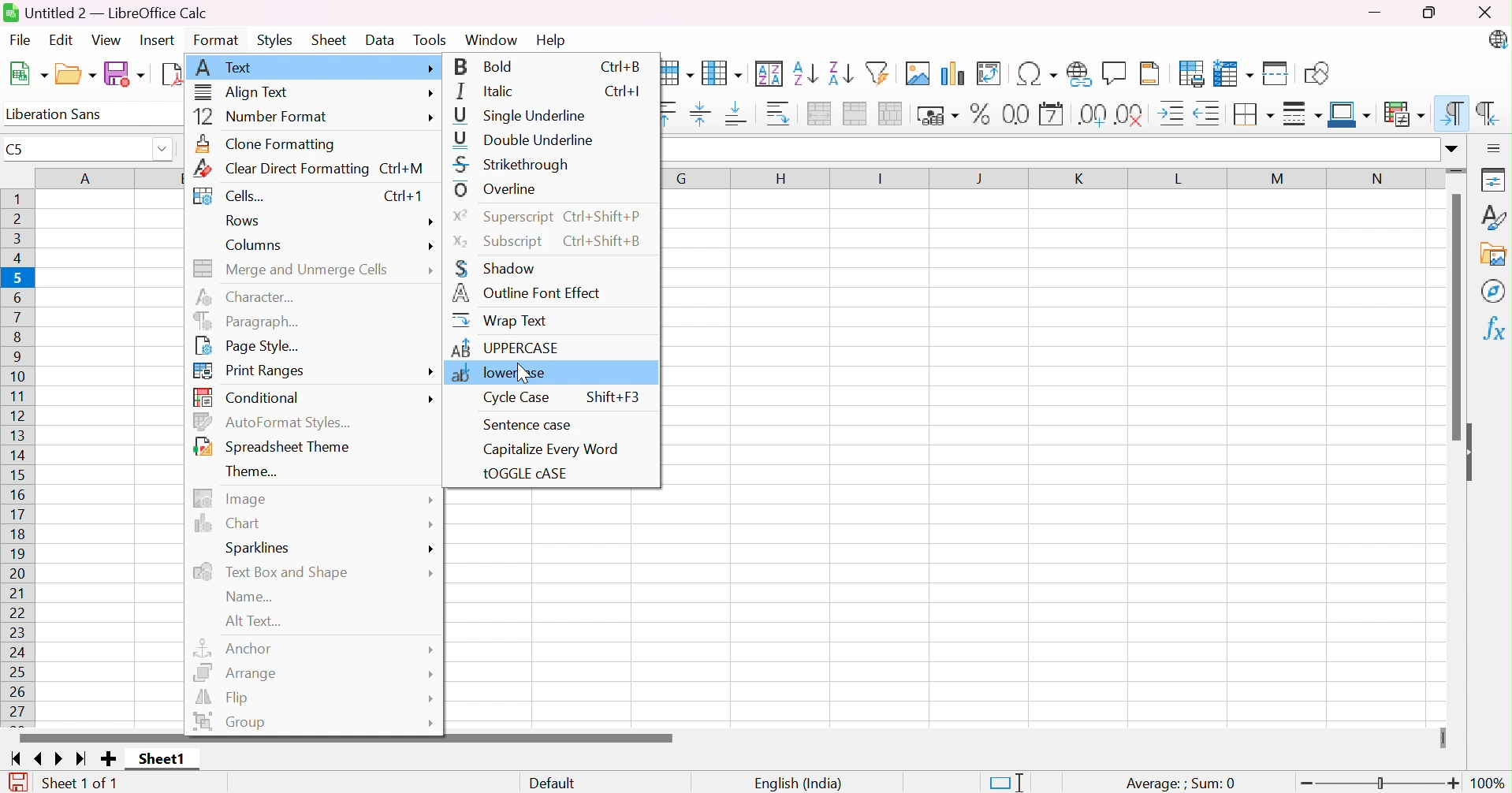 The width and height of the screenshot is (1512, 793). What do you see at coordinates (610, 241) in the screenshot?
I see `Ctrl+Shift+B` at bounding box center [610, 241].